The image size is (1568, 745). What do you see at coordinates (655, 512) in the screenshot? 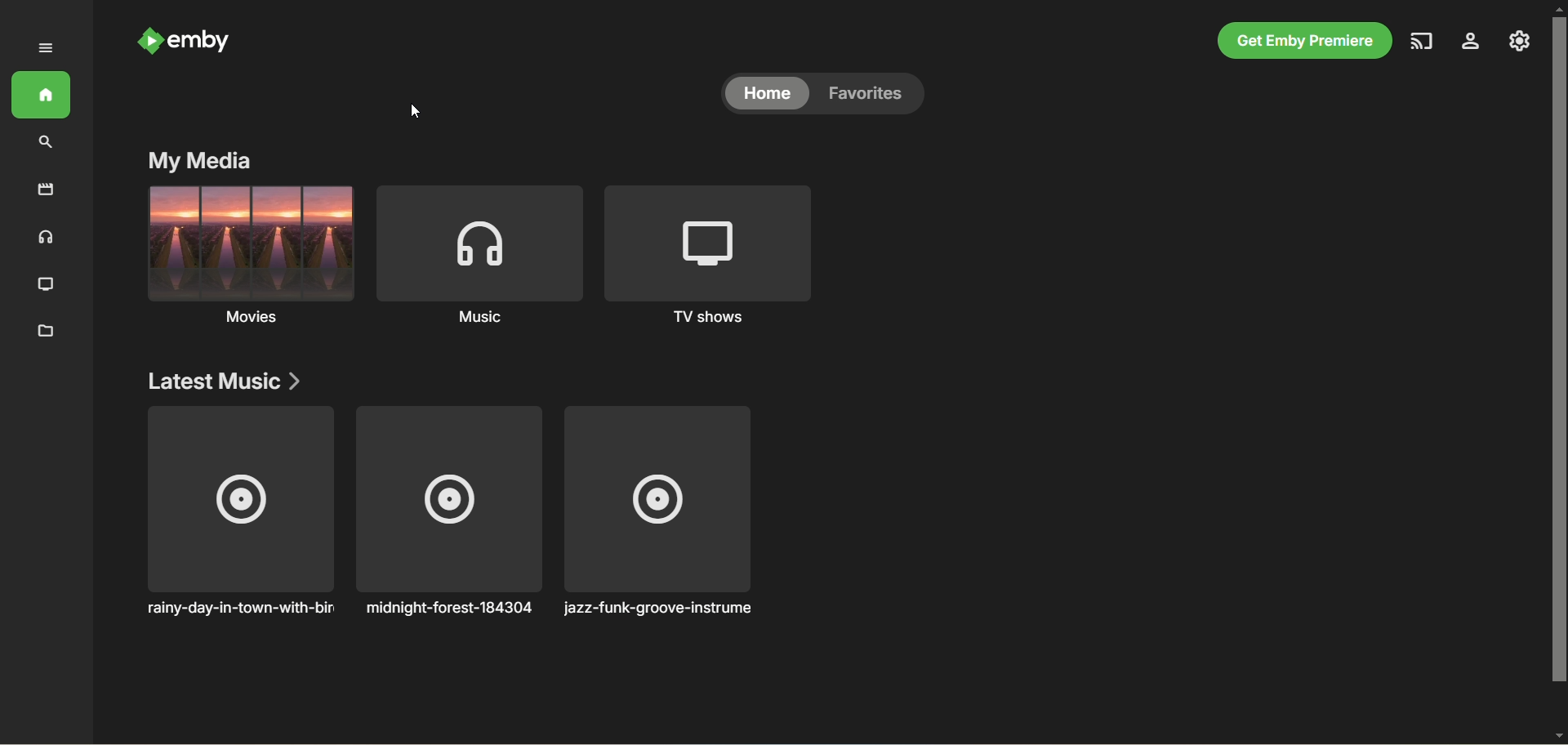
I see `jazz-funk-groove-instrument` at bounding box center [655, 512].